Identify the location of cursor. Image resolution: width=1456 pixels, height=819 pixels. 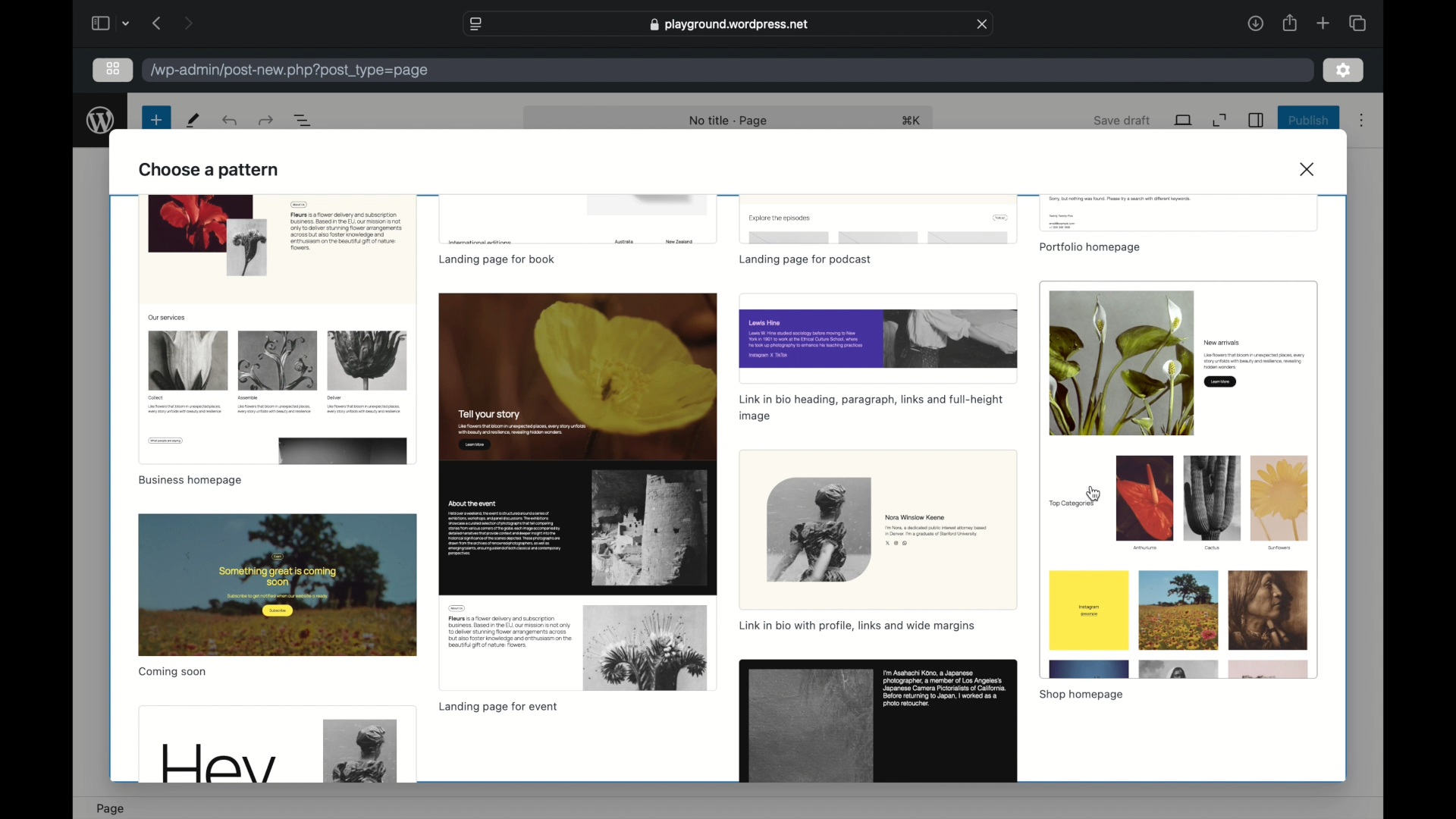
(1094, 494).